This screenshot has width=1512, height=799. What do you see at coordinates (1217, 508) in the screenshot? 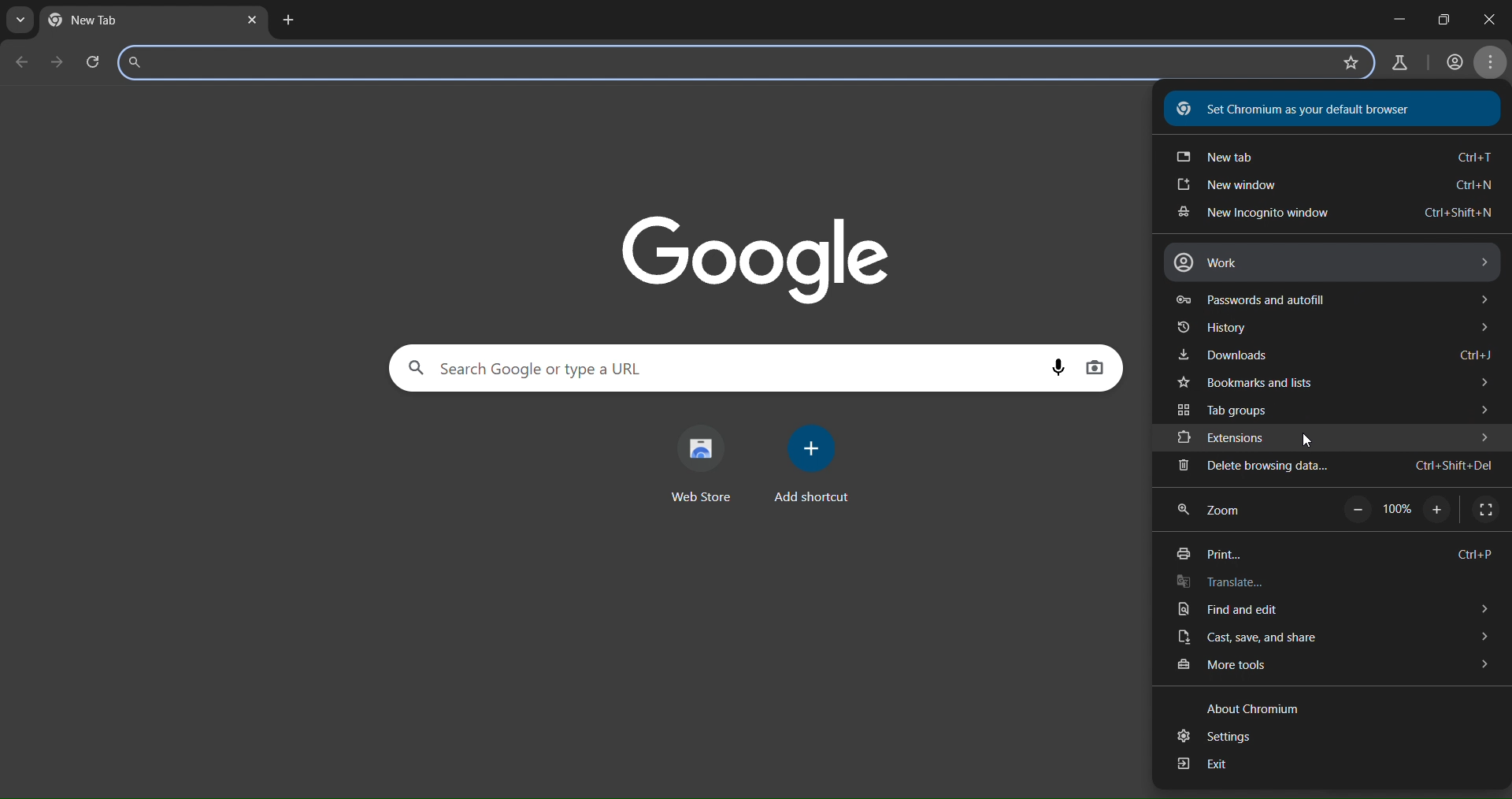
I see `zoom` at bounding box center [1217, 508].